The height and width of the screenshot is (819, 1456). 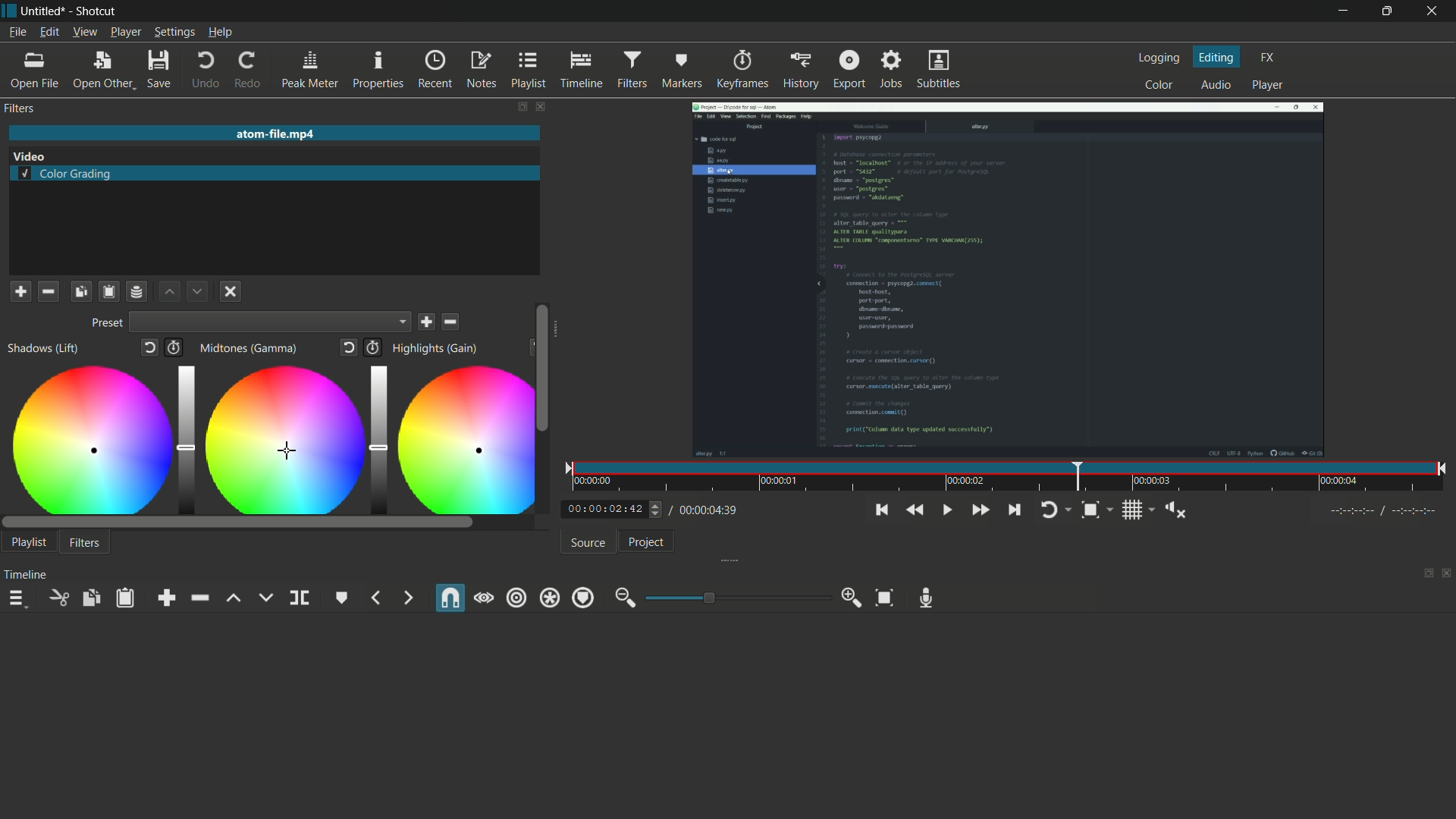 I want to click on recent, so click(x=435, y=70).